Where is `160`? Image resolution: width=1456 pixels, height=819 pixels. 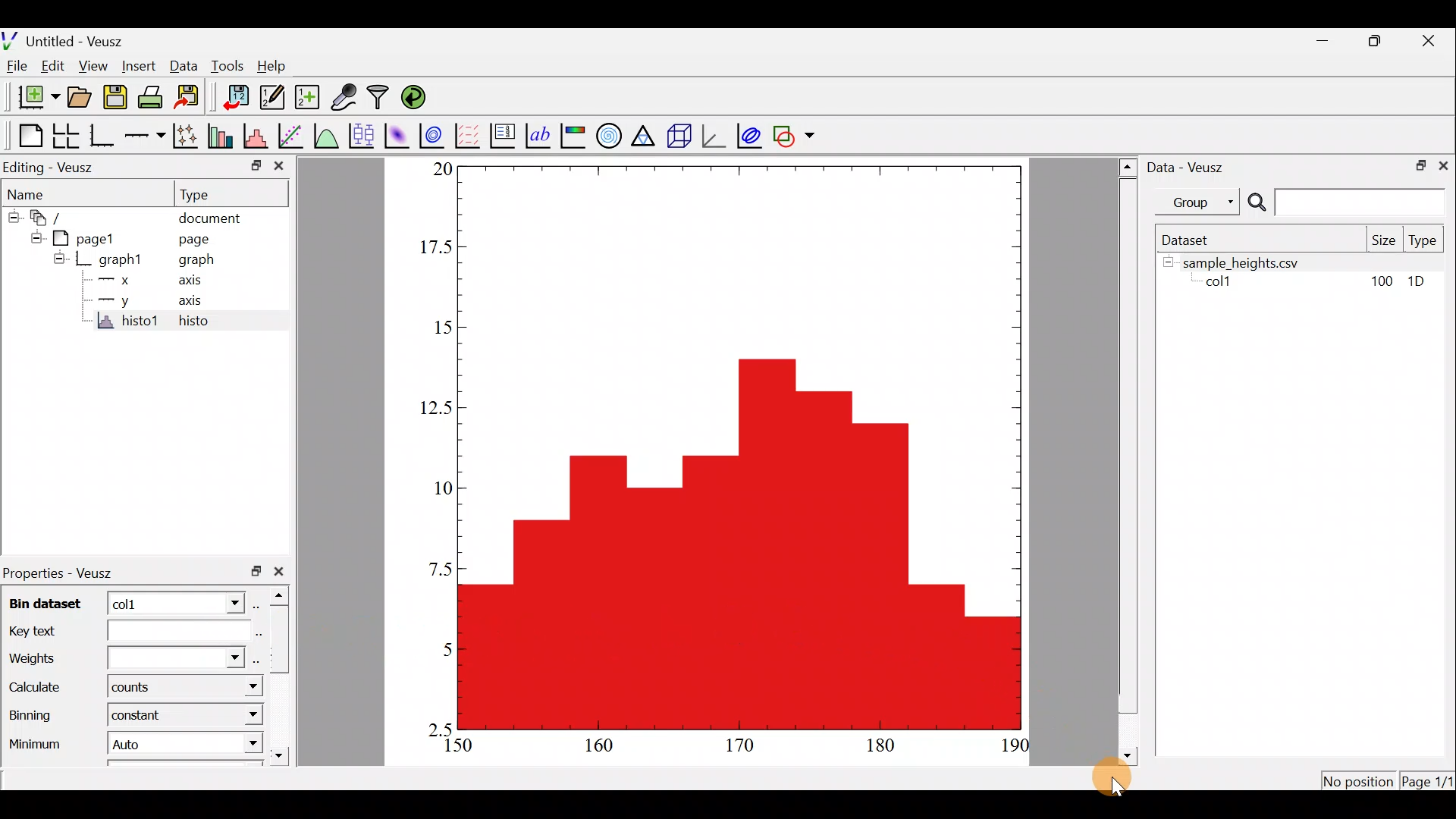
160 is located at coordinates (596, 748).